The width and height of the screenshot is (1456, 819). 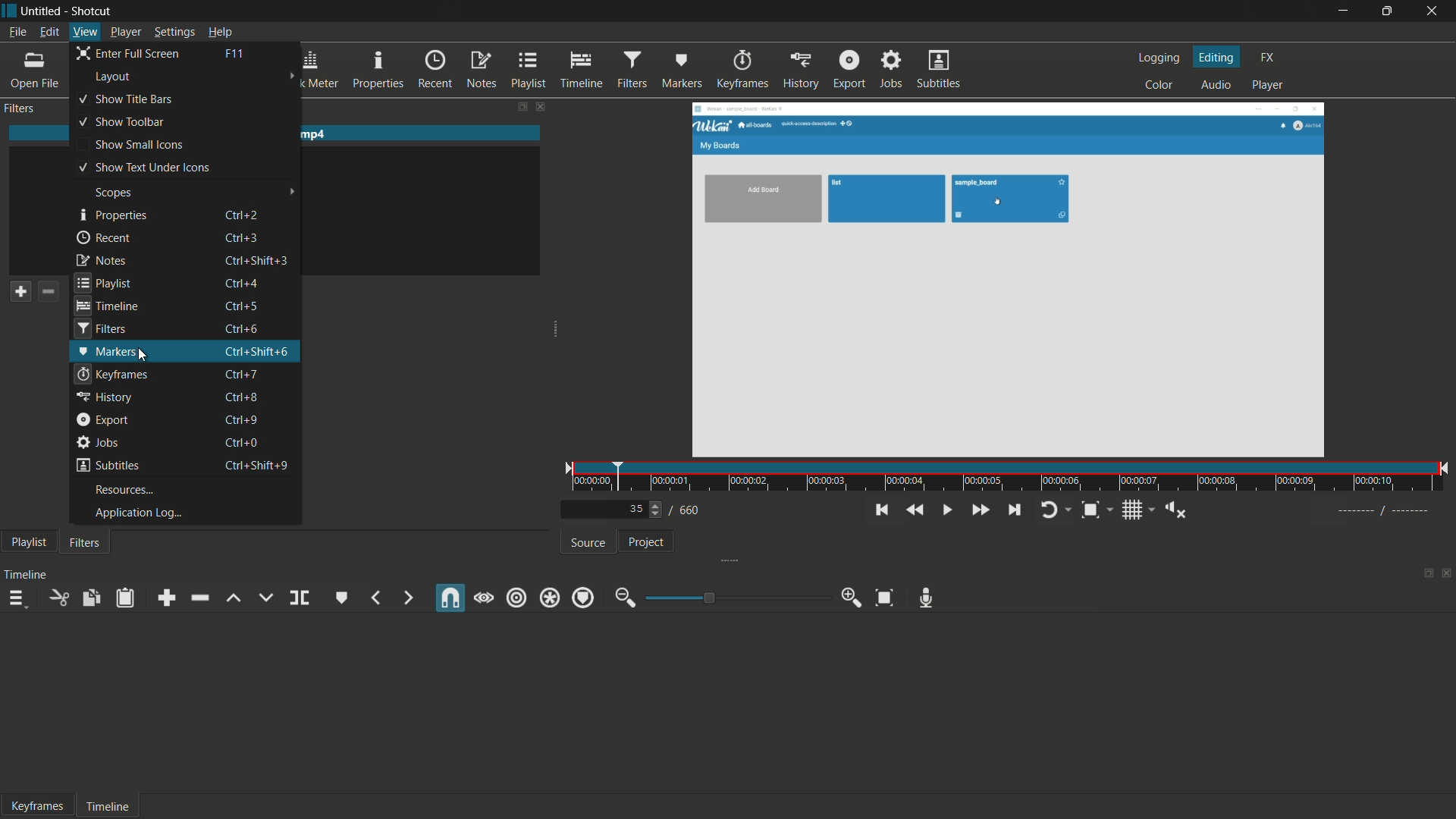 What do you see at coordinates (549, 598) in the screenshot?
I see `ripple all track` at bounding box center [549, 598].